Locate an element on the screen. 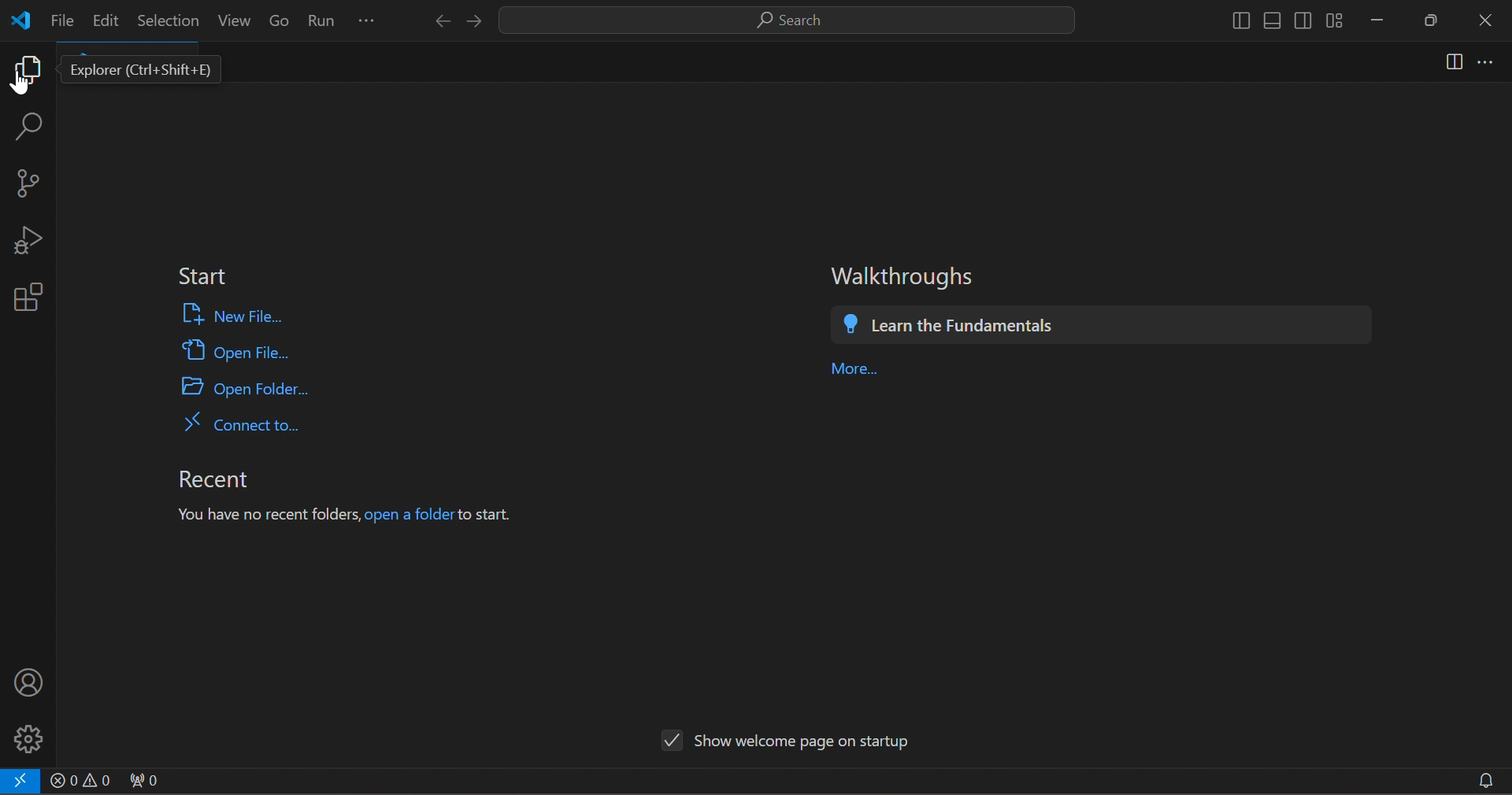  minimize is located at coordinates (1384, 24).